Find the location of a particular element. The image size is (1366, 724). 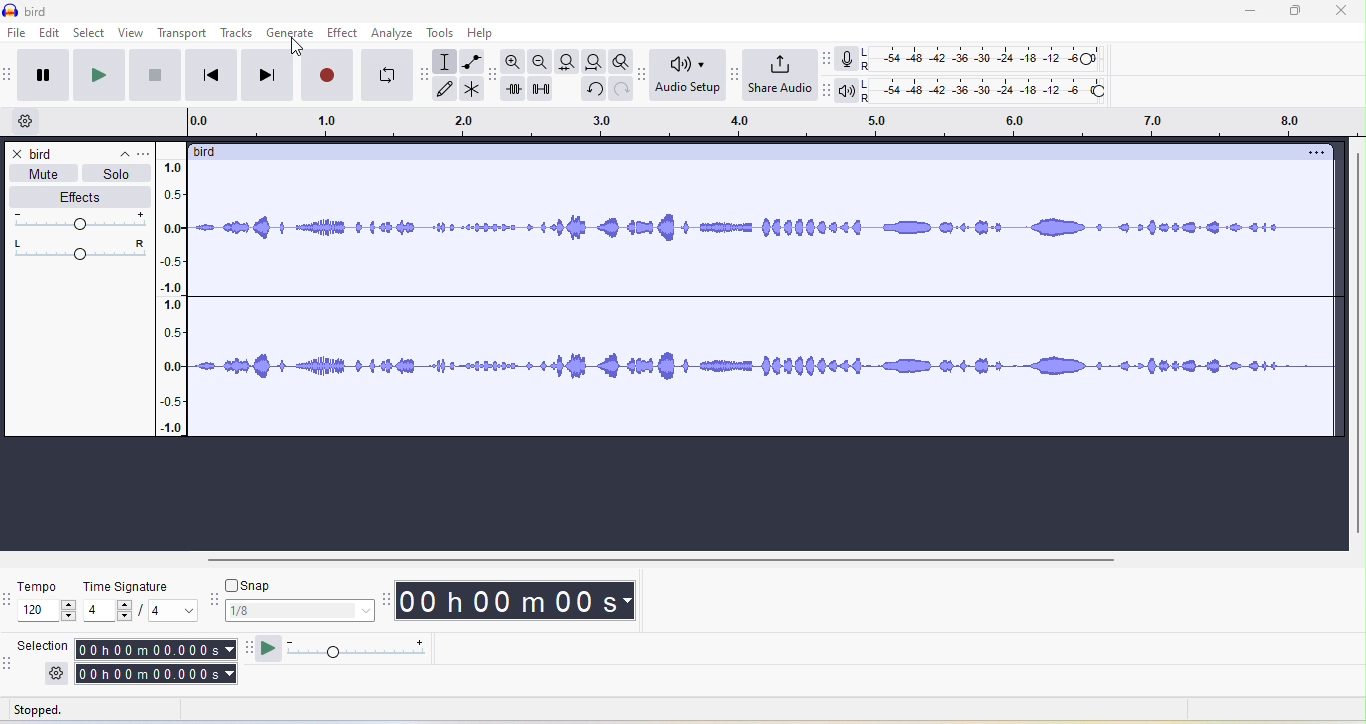

redo is located at coordinates (619, 89).